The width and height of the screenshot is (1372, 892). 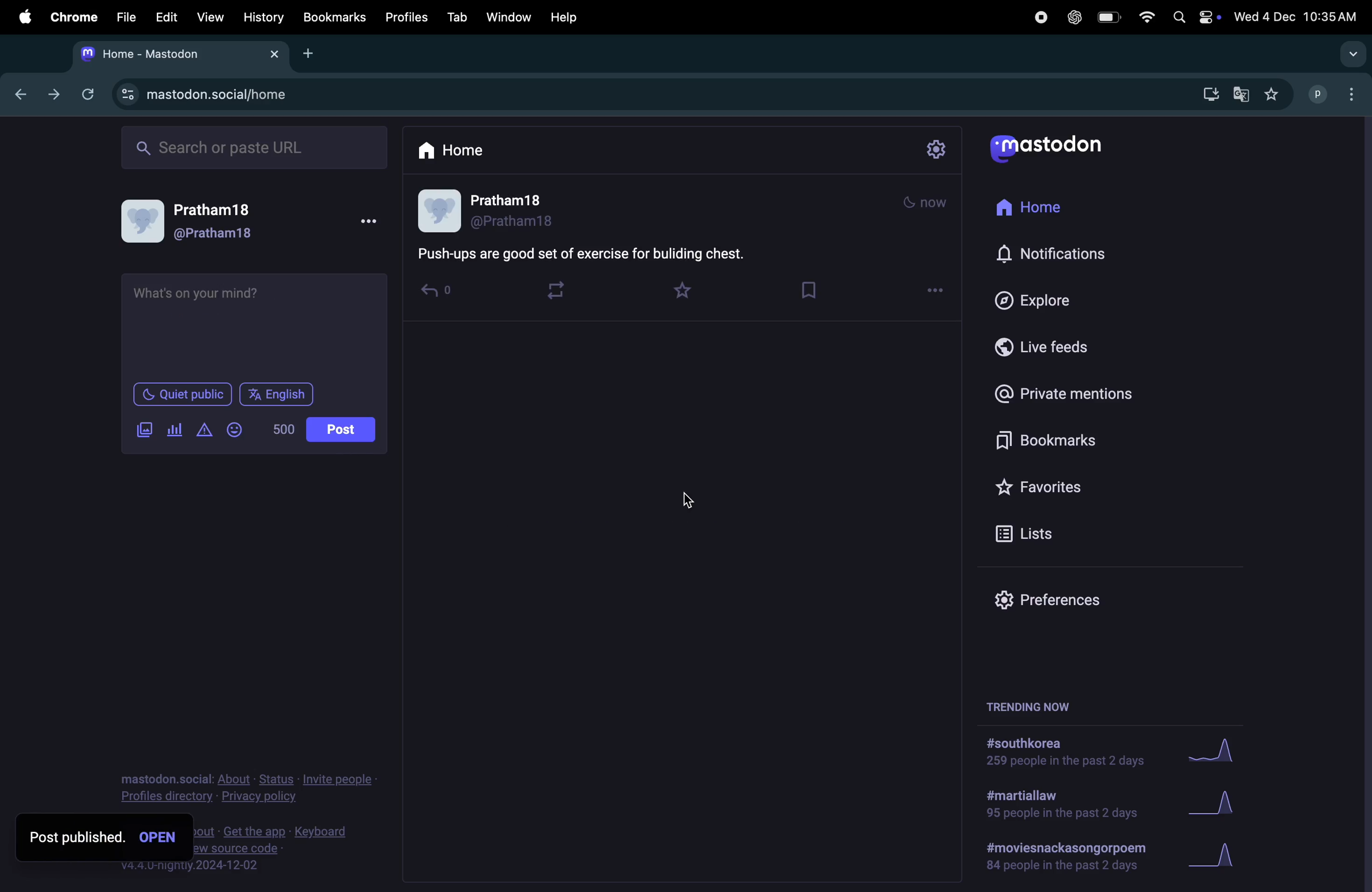 What do you see at coordinates (688, 290) in the screenshot?
I see `favourites` at bounding box center [688, 290].